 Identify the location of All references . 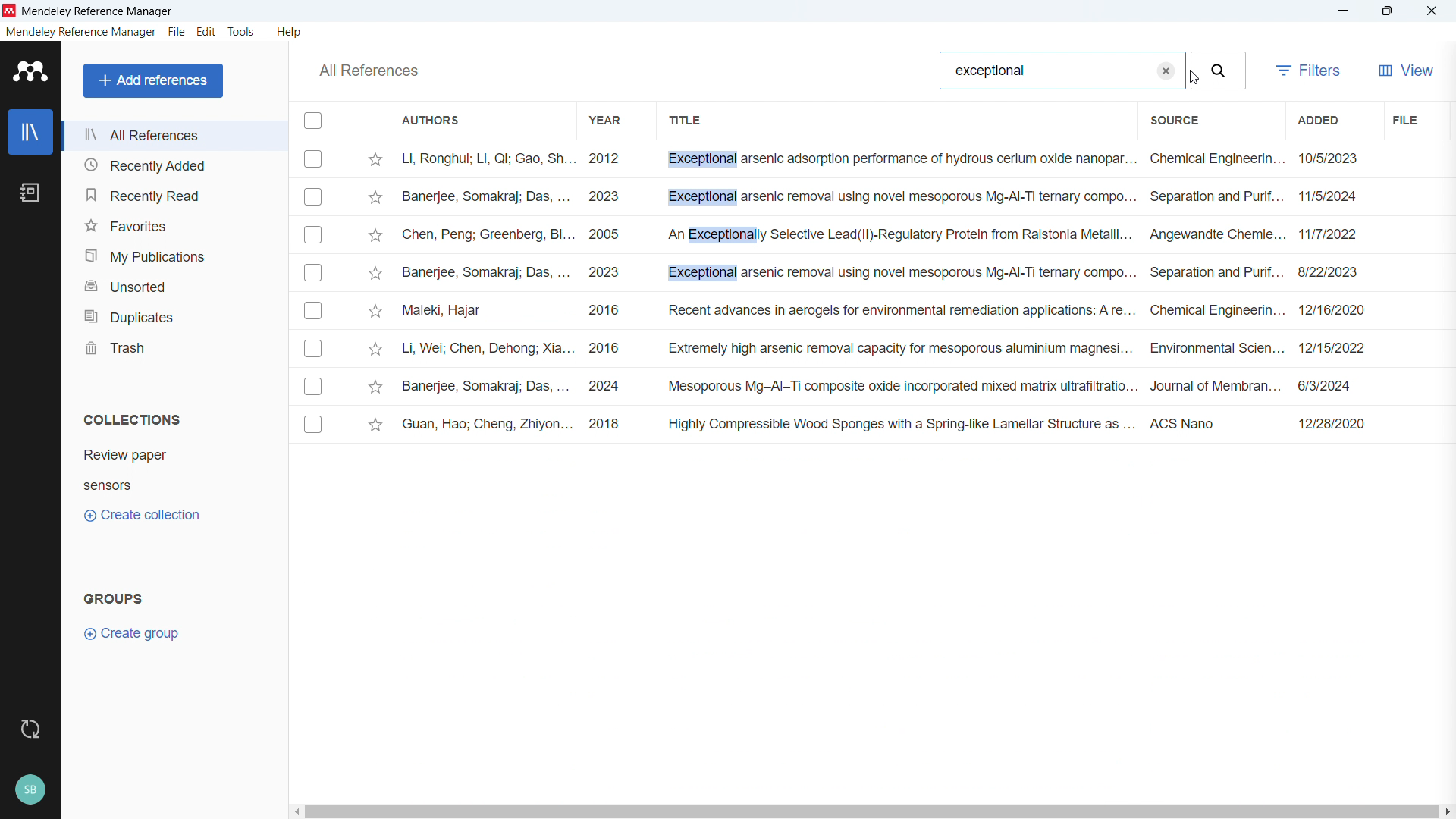
(174, 135).